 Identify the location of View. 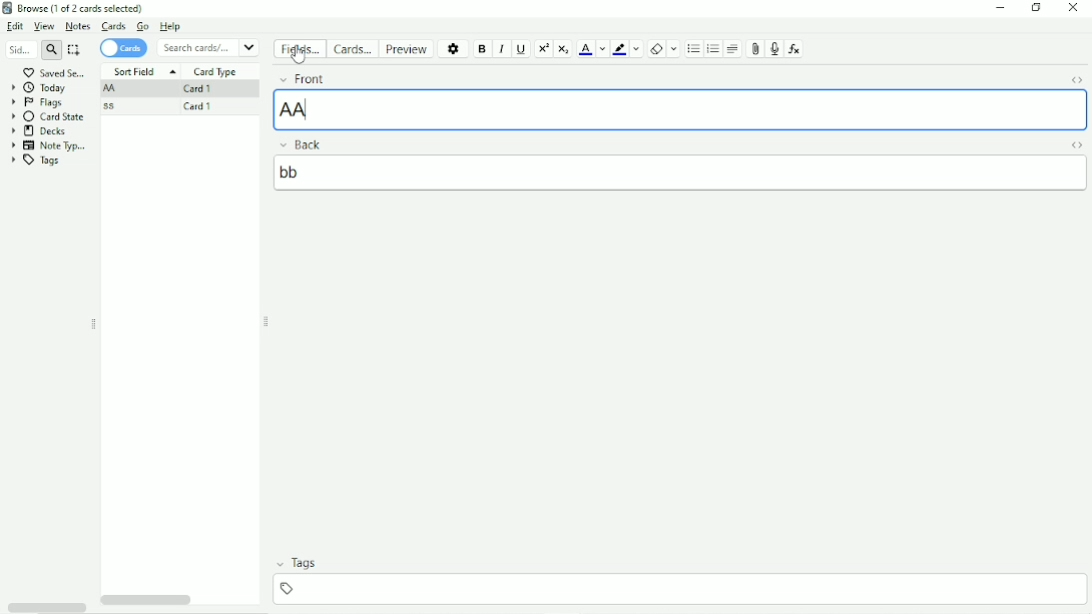
(45, 27).